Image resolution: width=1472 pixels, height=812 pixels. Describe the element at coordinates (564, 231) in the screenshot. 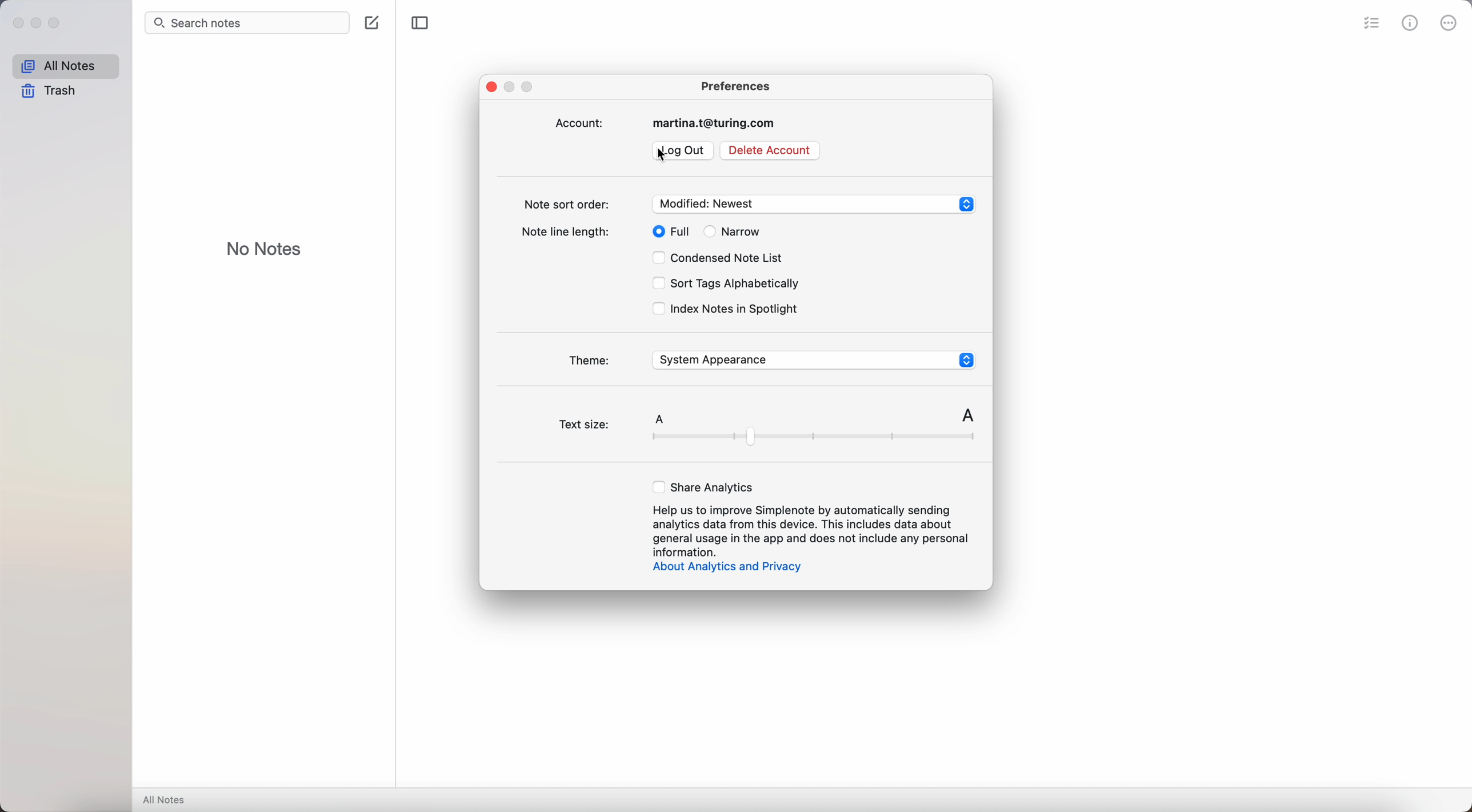

I see `note line length` at that location.